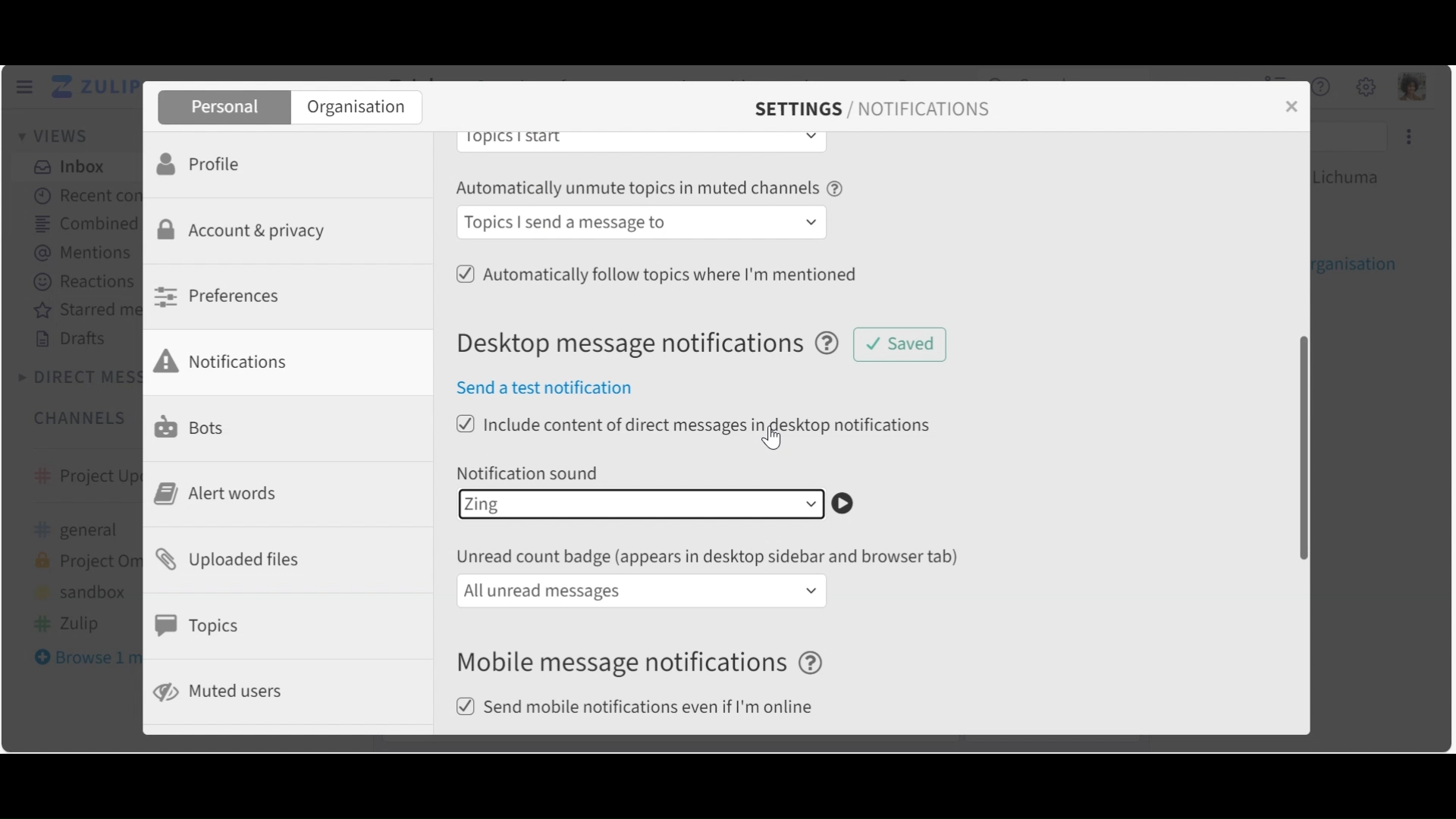  What do you see at coordinates (202, 626) in the screenshot?
I see `Topics` at bounding box center [202, 626].